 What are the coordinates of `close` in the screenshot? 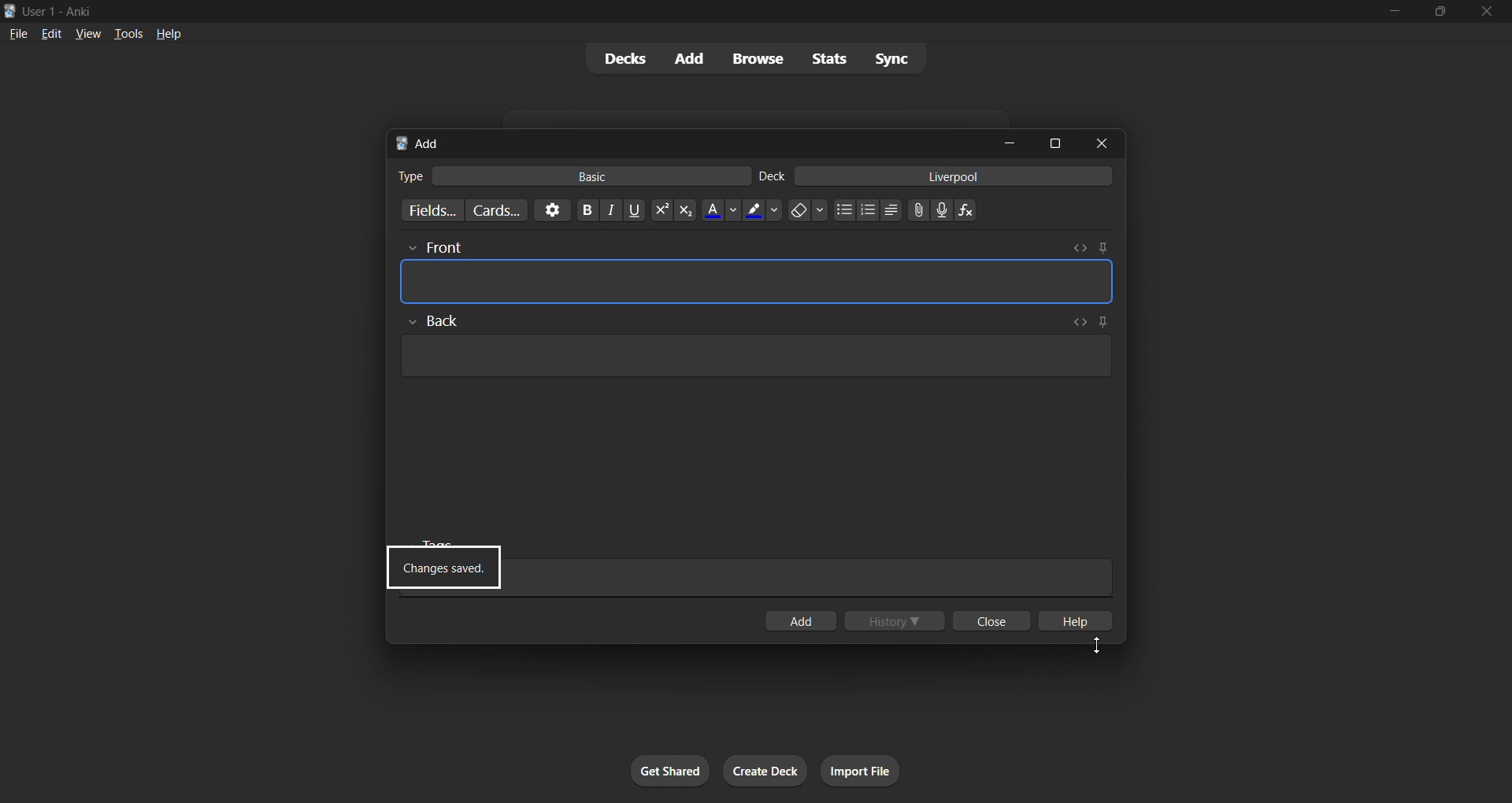 It's located at (1096, 143).